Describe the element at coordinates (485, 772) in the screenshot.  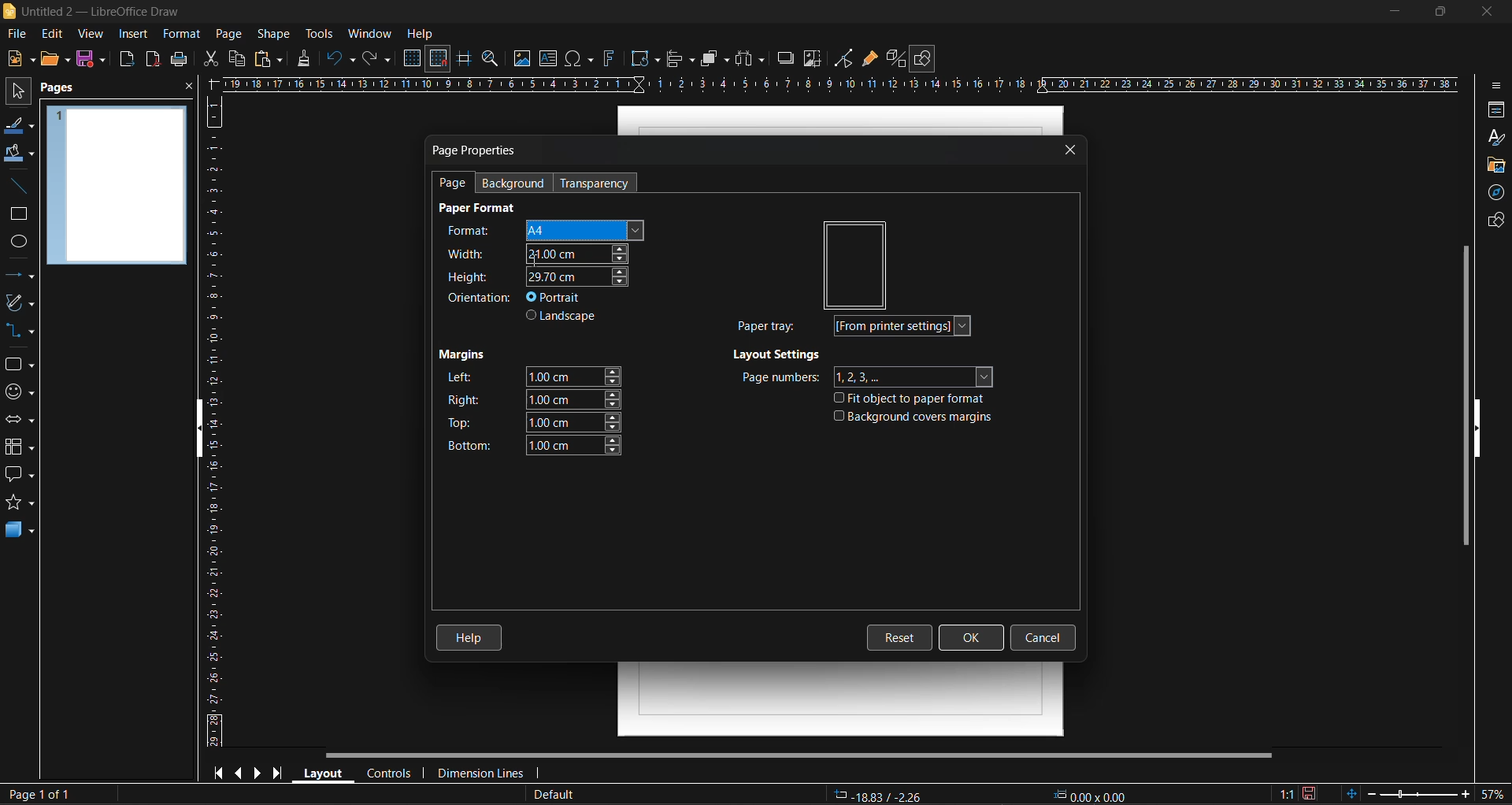
I see `dimension lines` at that location.